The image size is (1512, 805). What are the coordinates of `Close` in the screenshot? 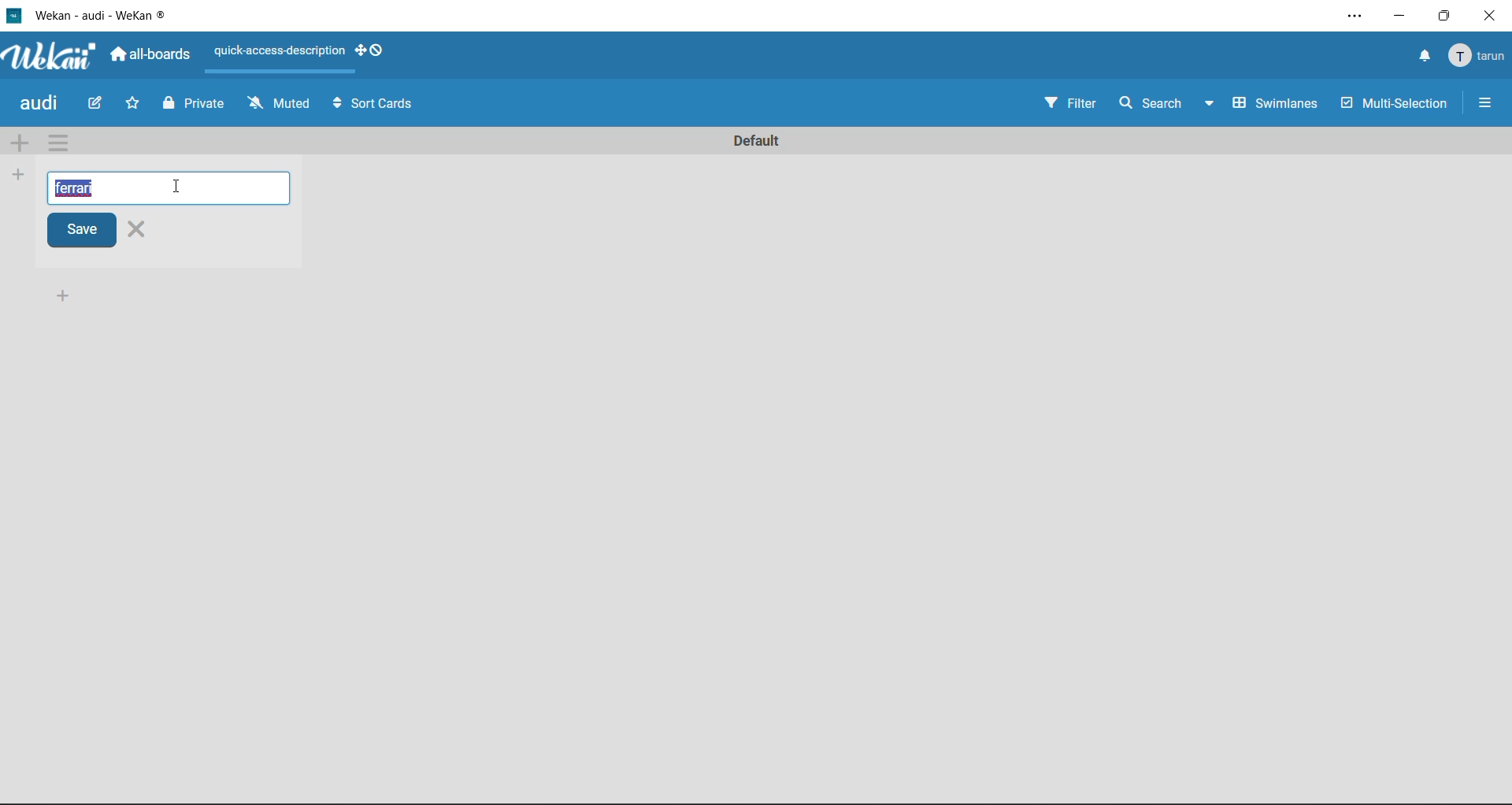 It's located at (152, 232).